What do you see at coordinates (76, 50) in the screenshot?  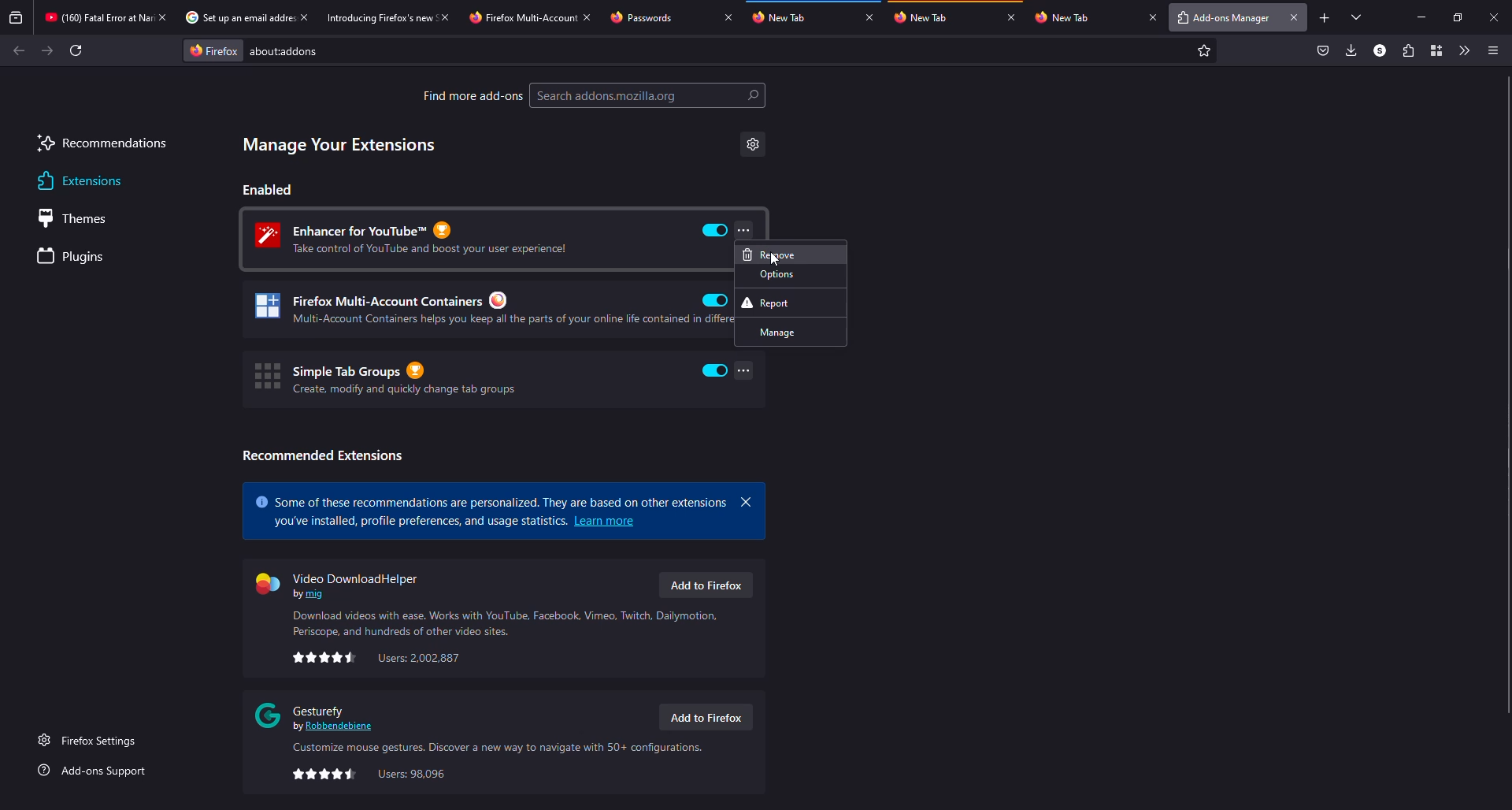 I see `refresh` at bounding box center [76, 50].